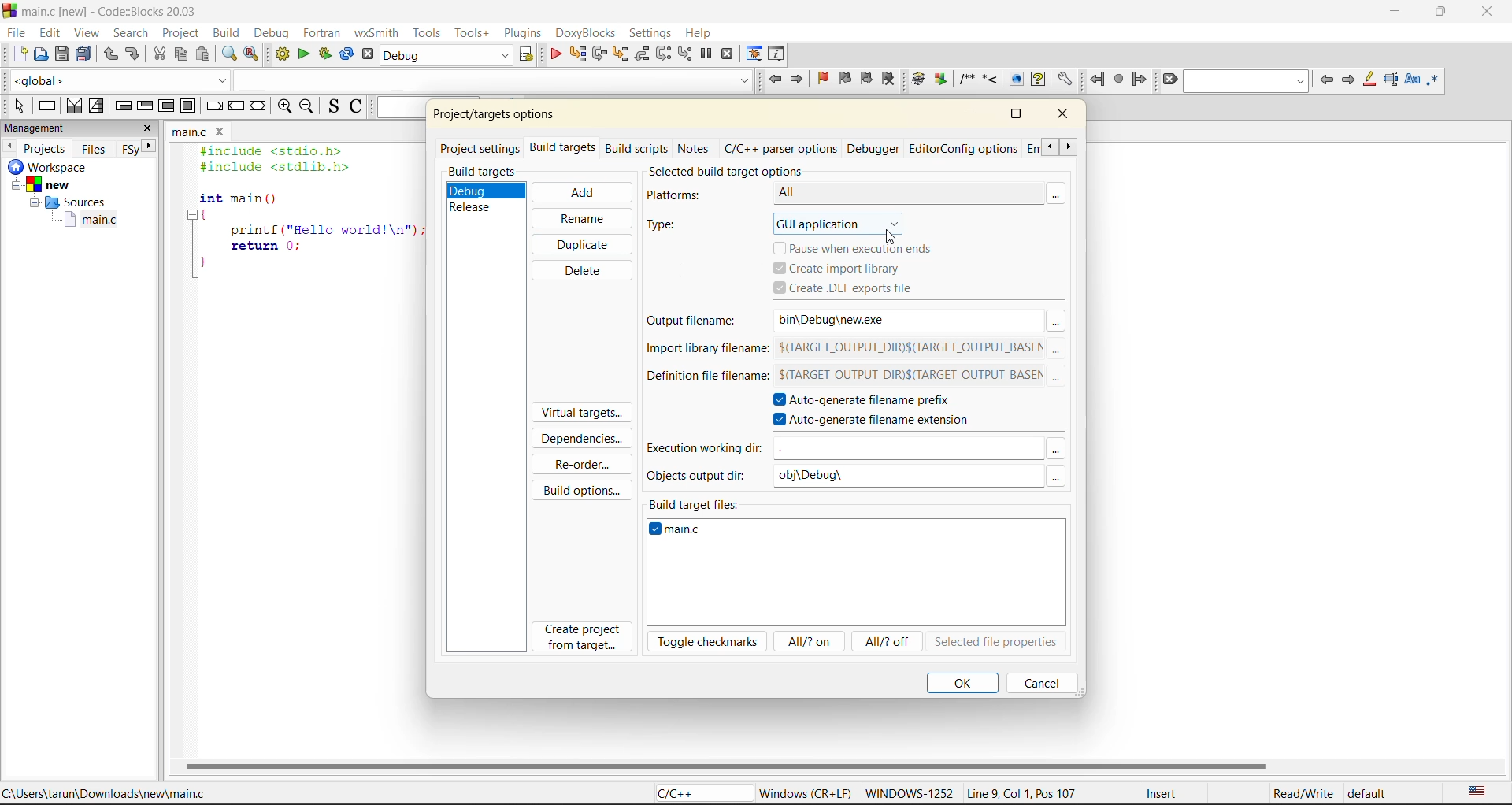  What do you see at coordinates (1437, 79) in the screenshot?
I see `use regex` at bounding box center [1437, 79].